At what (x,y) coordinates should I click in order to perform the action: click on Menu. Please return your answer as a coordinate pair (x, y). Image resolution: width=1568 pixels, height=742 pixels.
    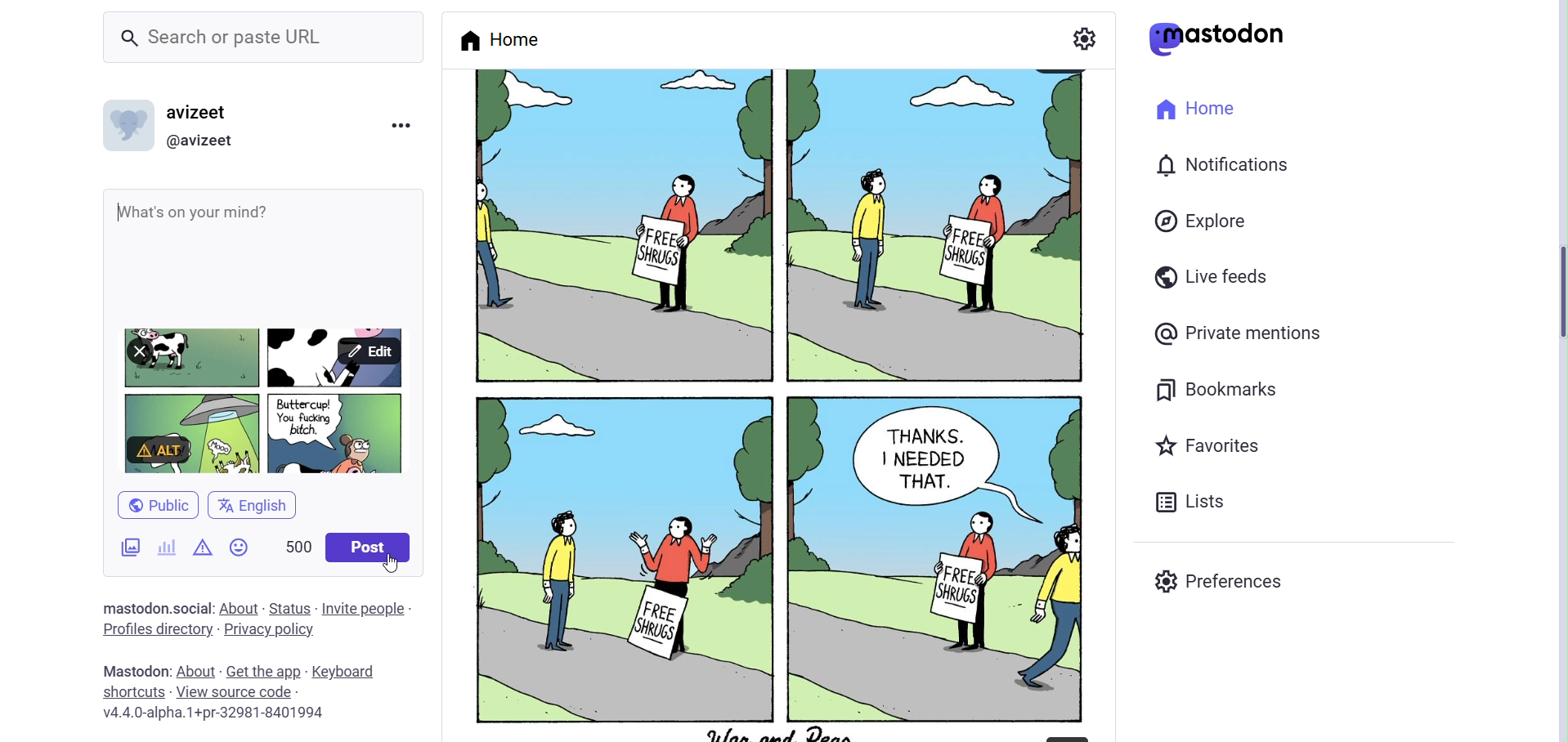
    Looking at the image, I should click on (401, 128).